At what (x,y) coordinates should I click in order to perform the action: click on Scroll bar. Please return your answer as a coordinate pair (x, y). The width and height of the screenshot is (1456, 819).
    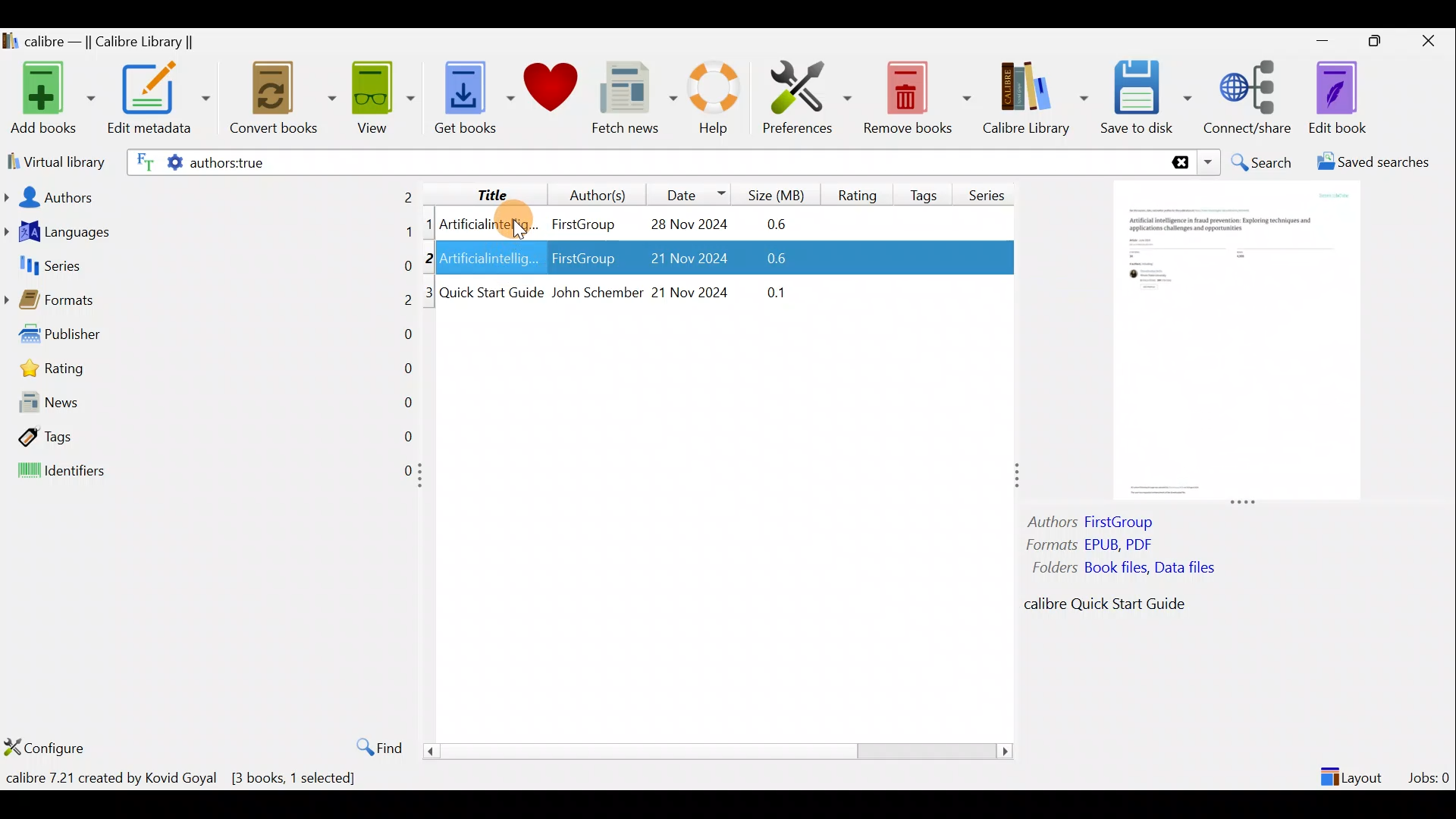
    Looking at the image, I should click on (712, 751).